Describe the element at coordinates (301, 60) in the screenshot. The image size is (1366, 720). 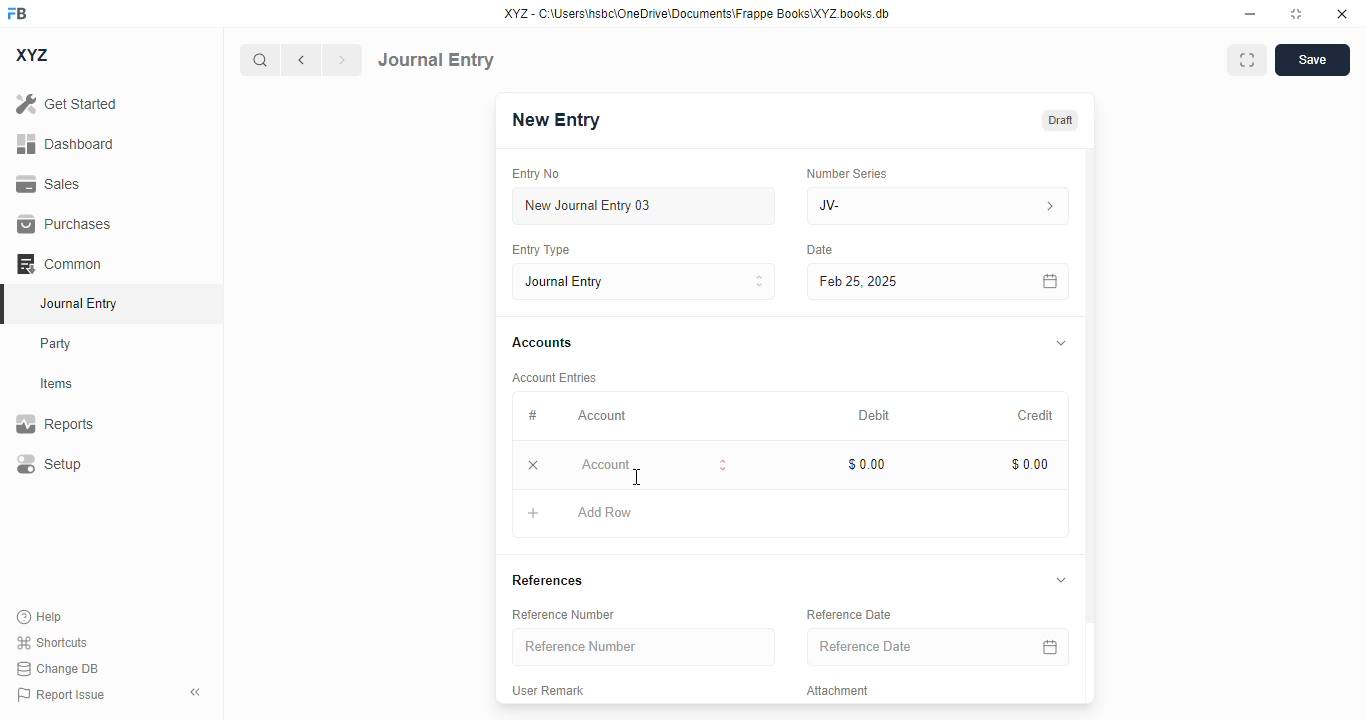
I see `previous` at that location.